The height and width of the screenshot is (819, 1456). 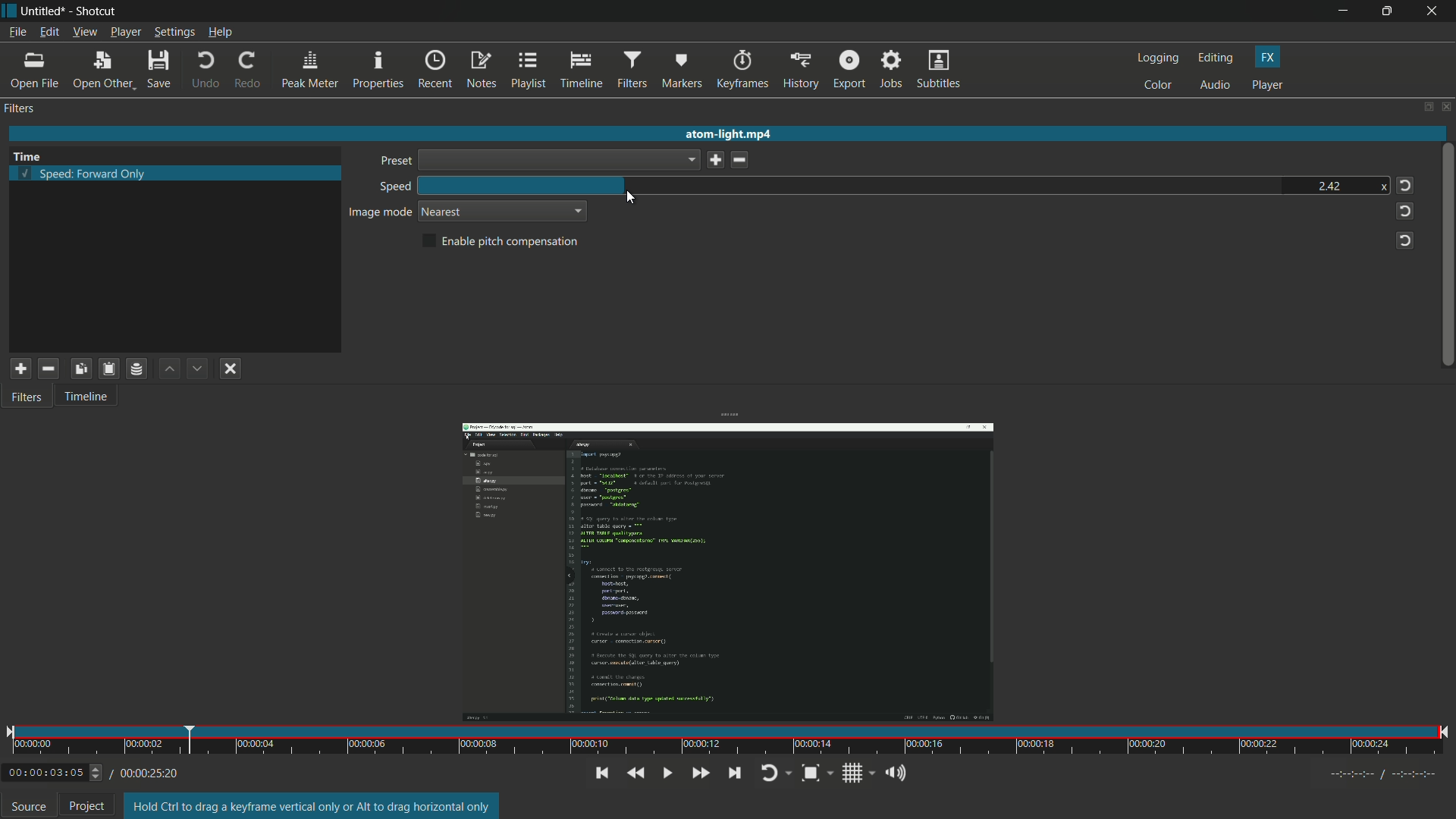 What do you see at coordinates (34, 71) in the screenshot?
I see `open file` at bounding box center [34, 71].